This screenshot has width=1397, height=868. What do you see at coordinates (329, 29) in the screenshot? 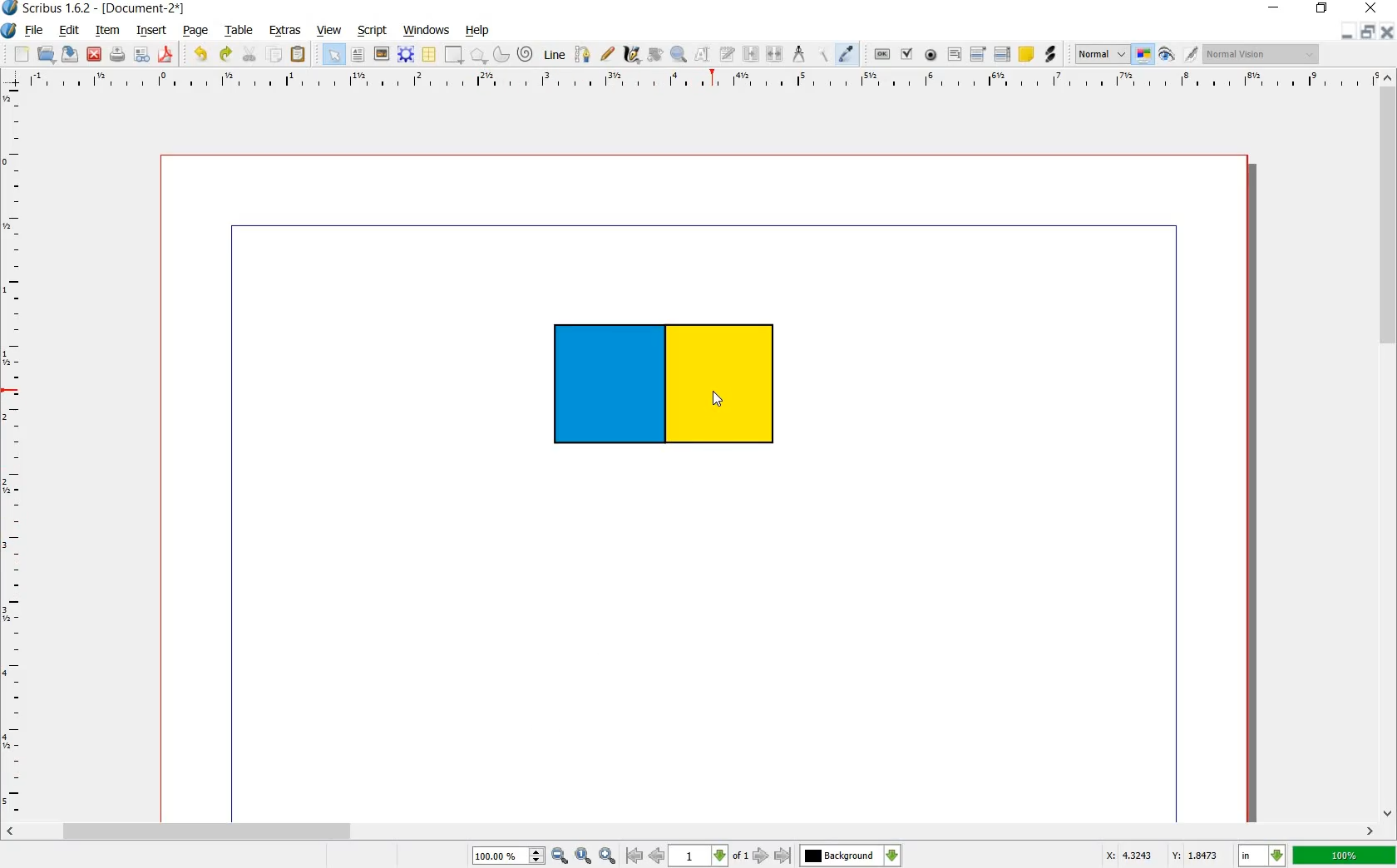
I see `view` at bounding box center [329, 29].